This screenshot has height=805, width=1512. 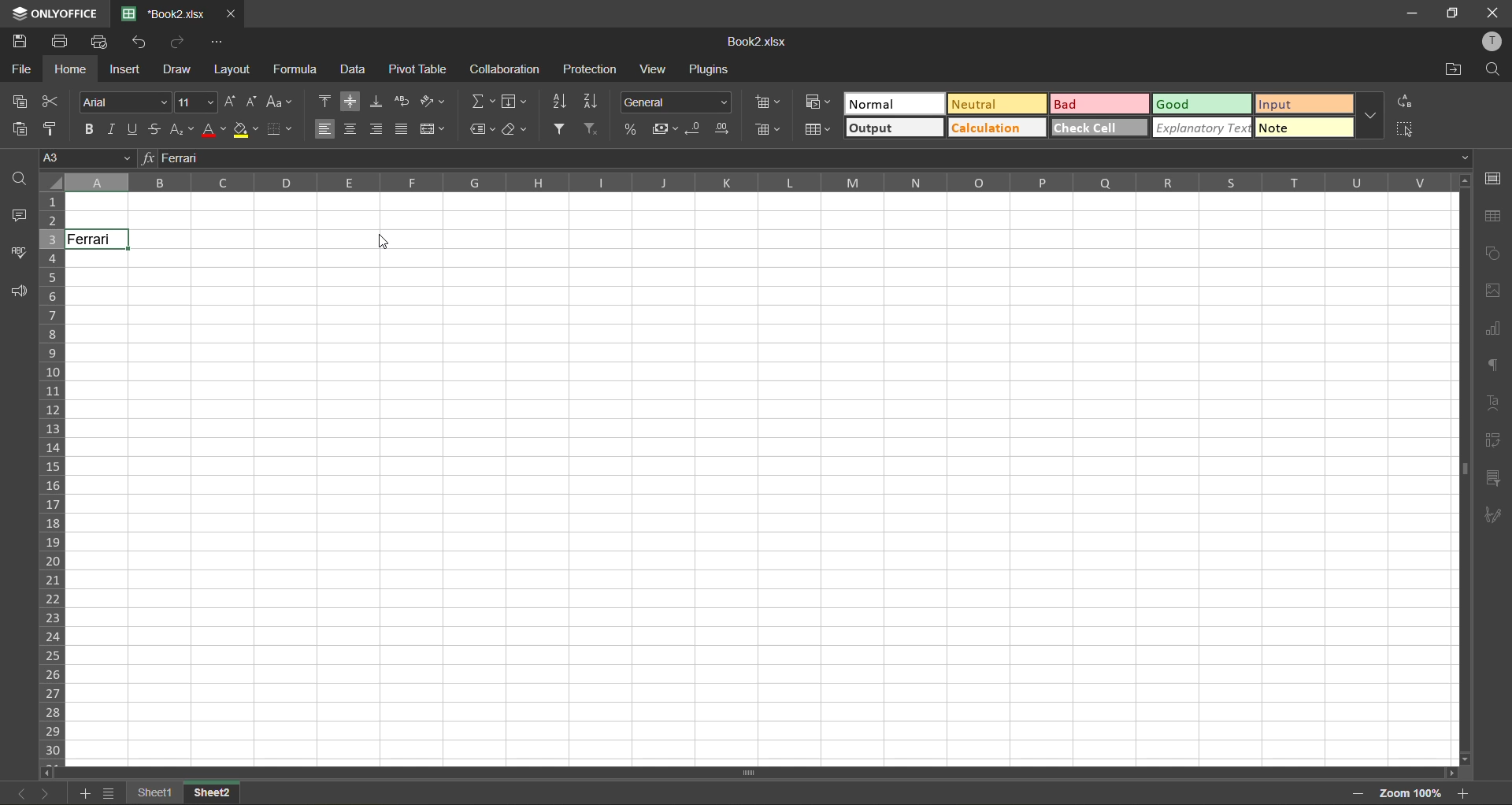 What do you see at coordinates (280, 129) in the screenshot?
I see `borders` at bounding box center [280, 129].